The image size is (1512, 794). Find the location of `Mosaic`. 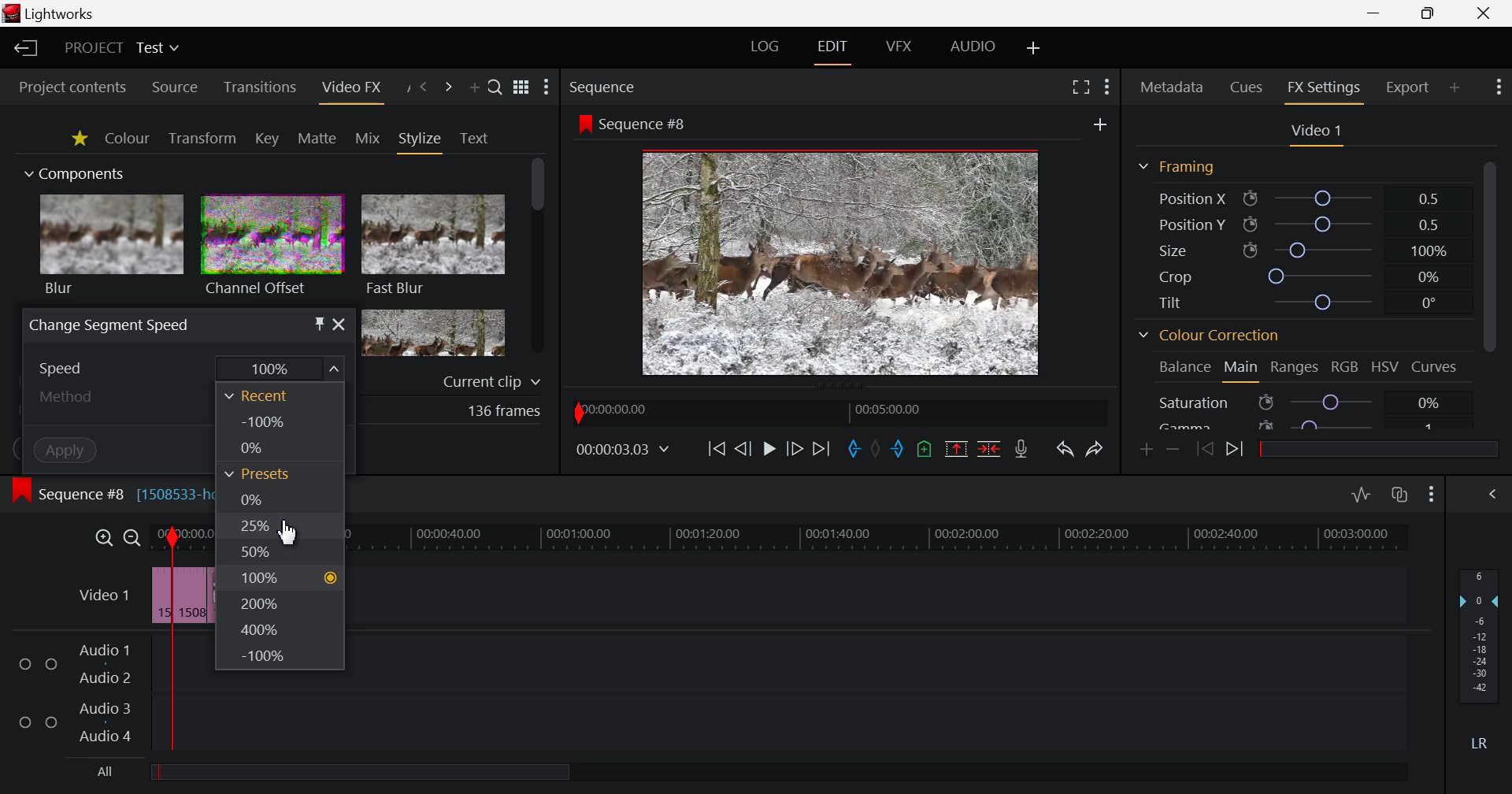

Mosaic is located at coordinates (271, 332).